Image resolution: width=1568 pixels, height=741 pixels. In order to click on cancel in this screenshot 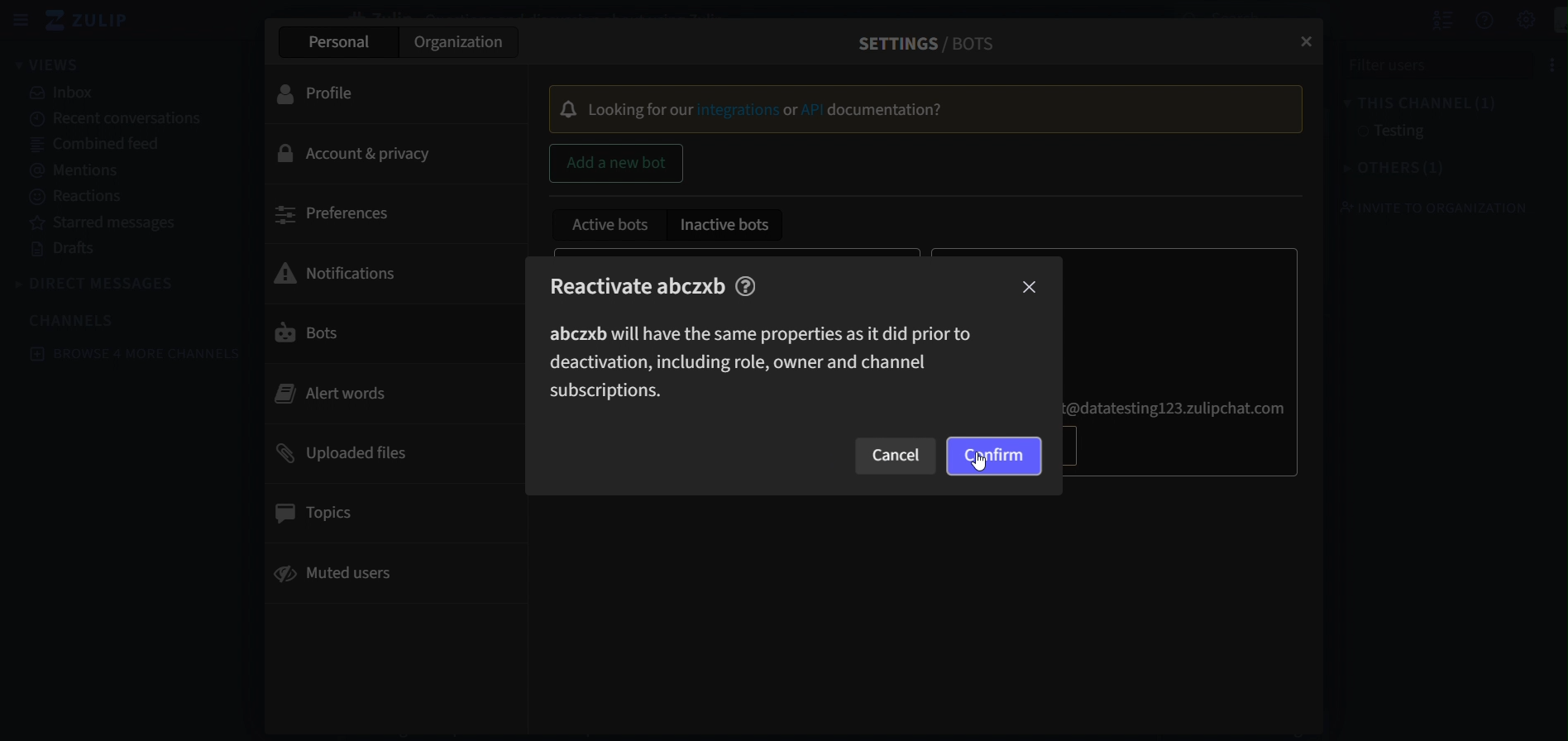, I will do `click(900, 456)`.